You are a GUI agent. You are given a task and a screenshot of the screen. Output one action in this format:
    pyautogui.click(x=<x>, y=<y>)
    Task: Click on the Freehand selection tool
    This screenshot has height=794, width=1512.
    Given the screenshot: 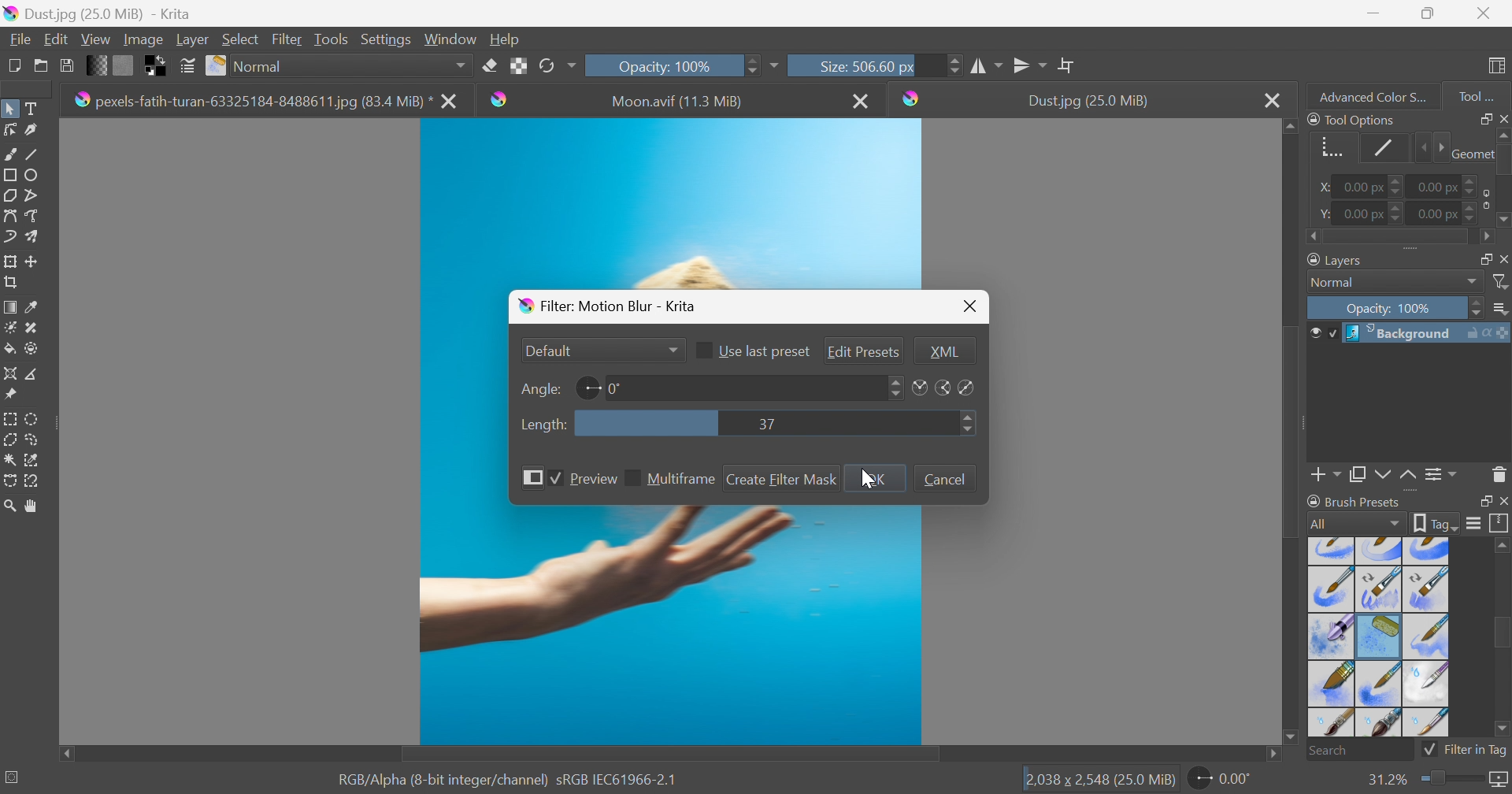 What is the action you would take?
    pyautogui.click(x=33, y=440)
    